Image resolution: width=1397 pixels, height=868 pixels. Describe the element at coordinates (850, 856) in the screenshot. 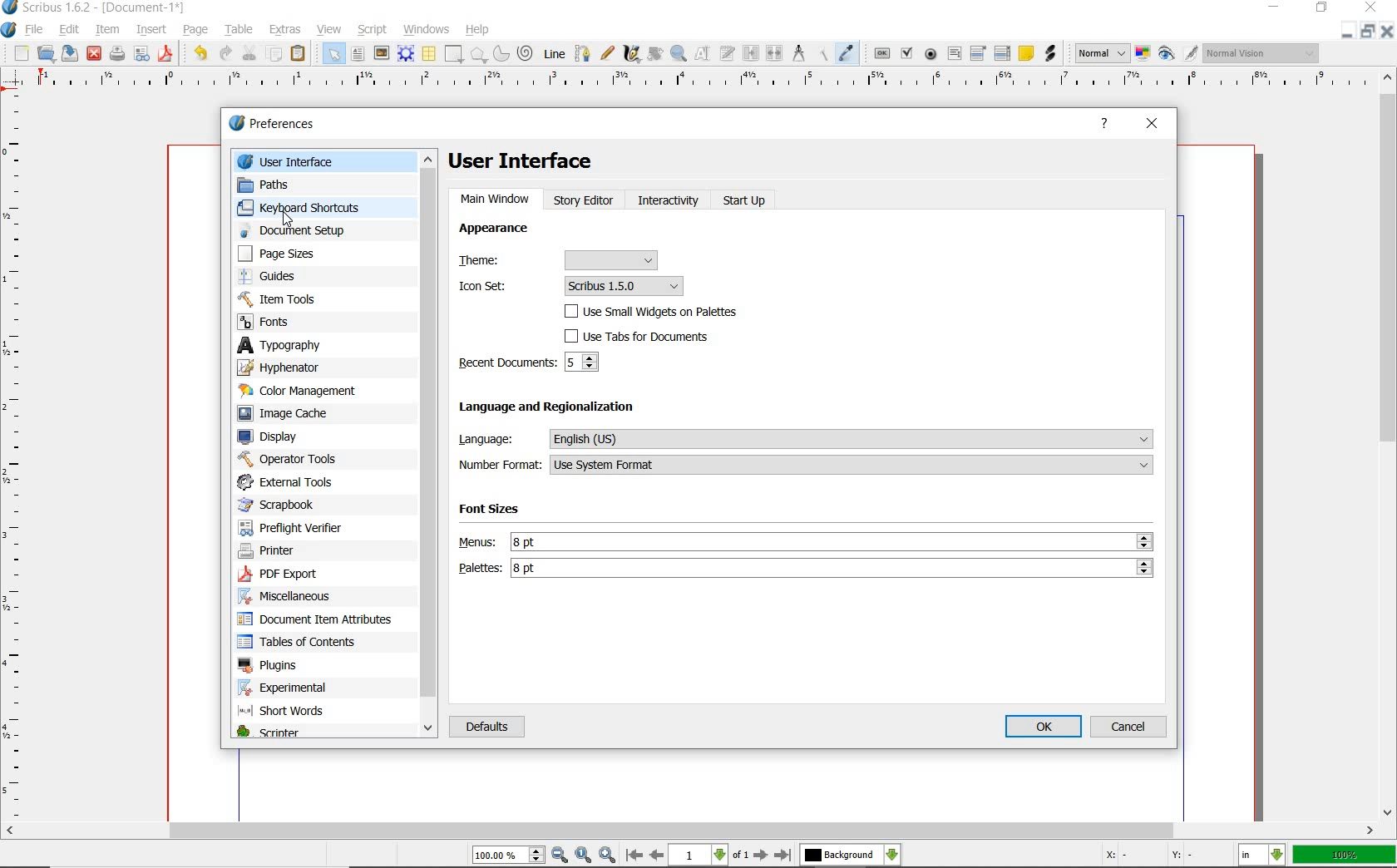

I see `select the current layer` at that location.